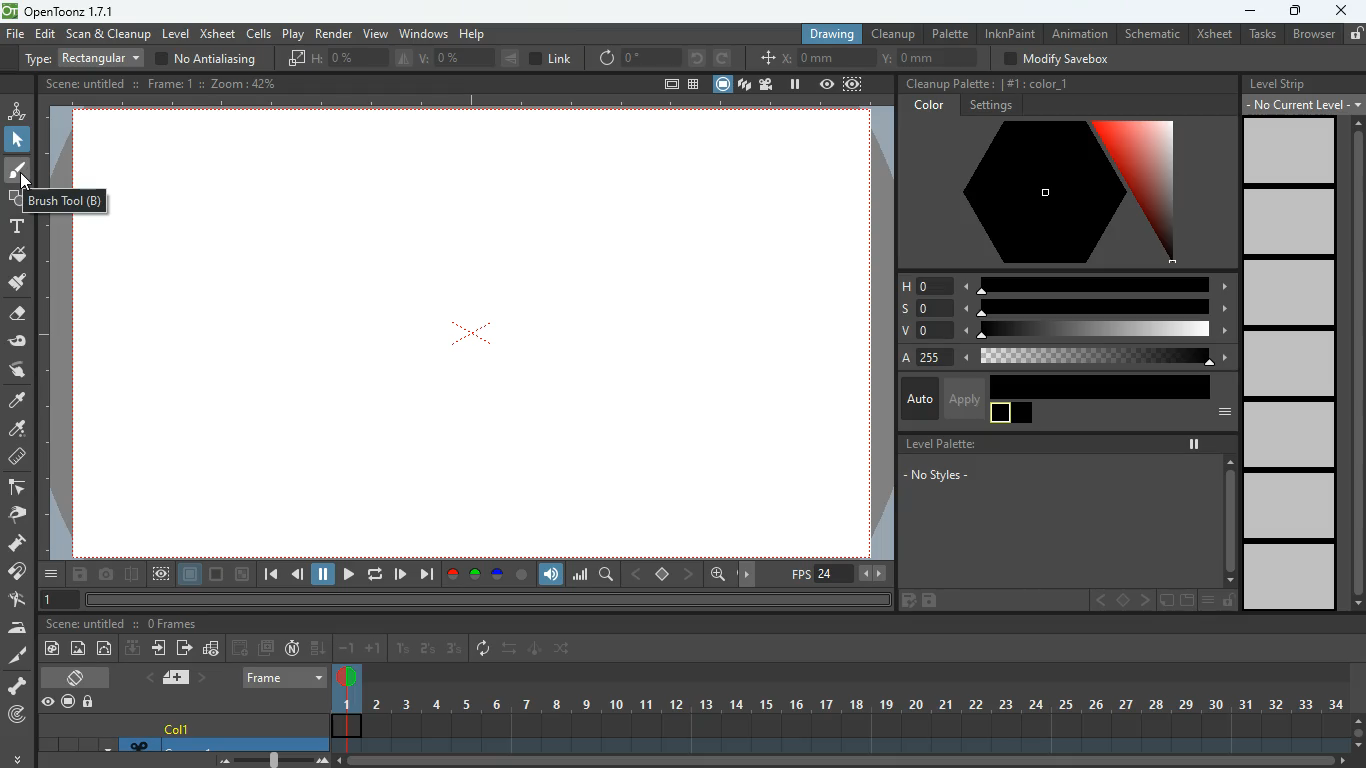 This screenshot has height=768, width=1366. Describe the element at coordinates (18, 342) in the screenshot. I see `glue` at that location.